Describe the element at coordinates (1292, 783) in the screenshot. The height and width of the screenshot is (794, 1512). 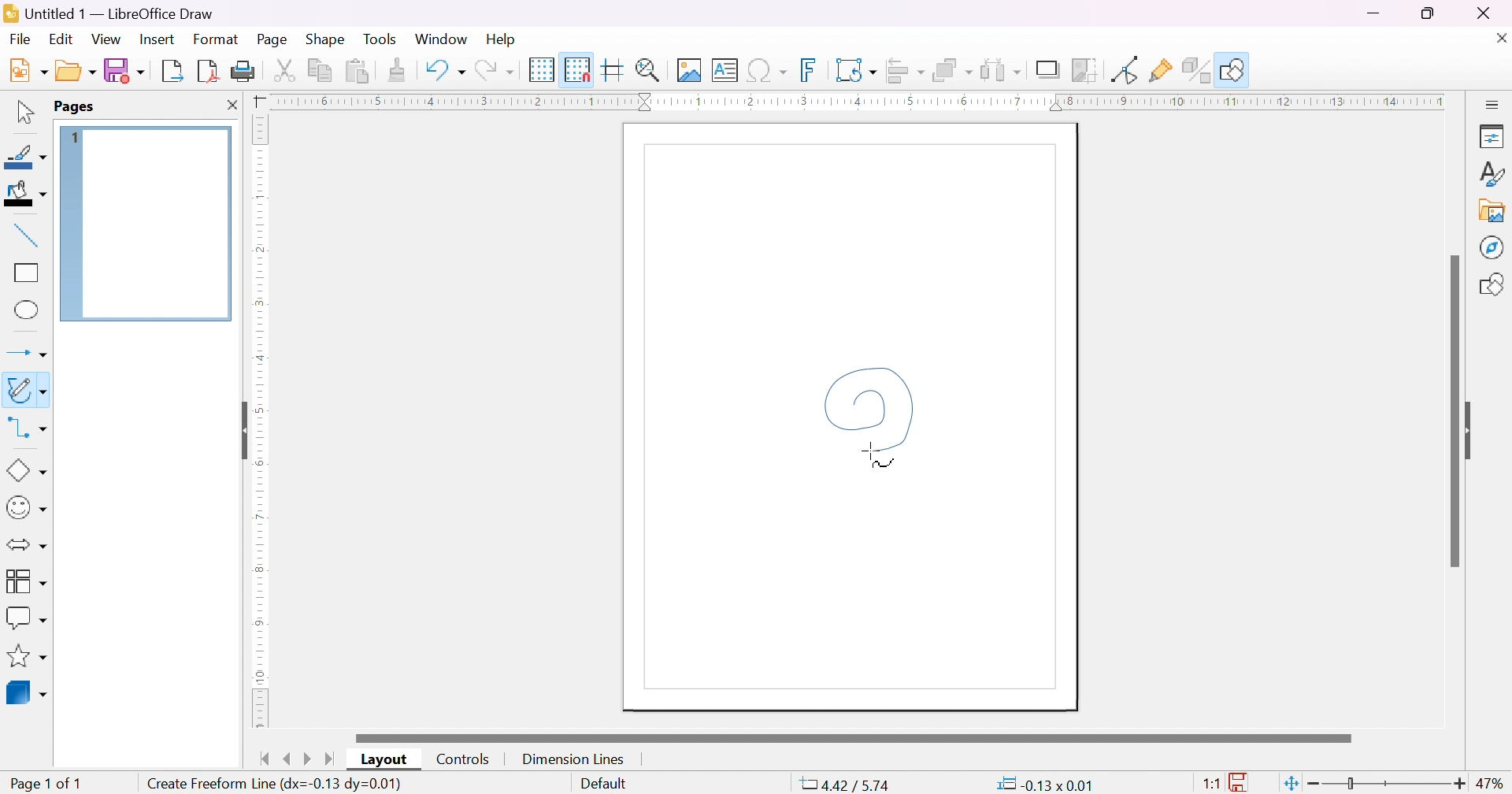
I see `fit page to current window` at that location.